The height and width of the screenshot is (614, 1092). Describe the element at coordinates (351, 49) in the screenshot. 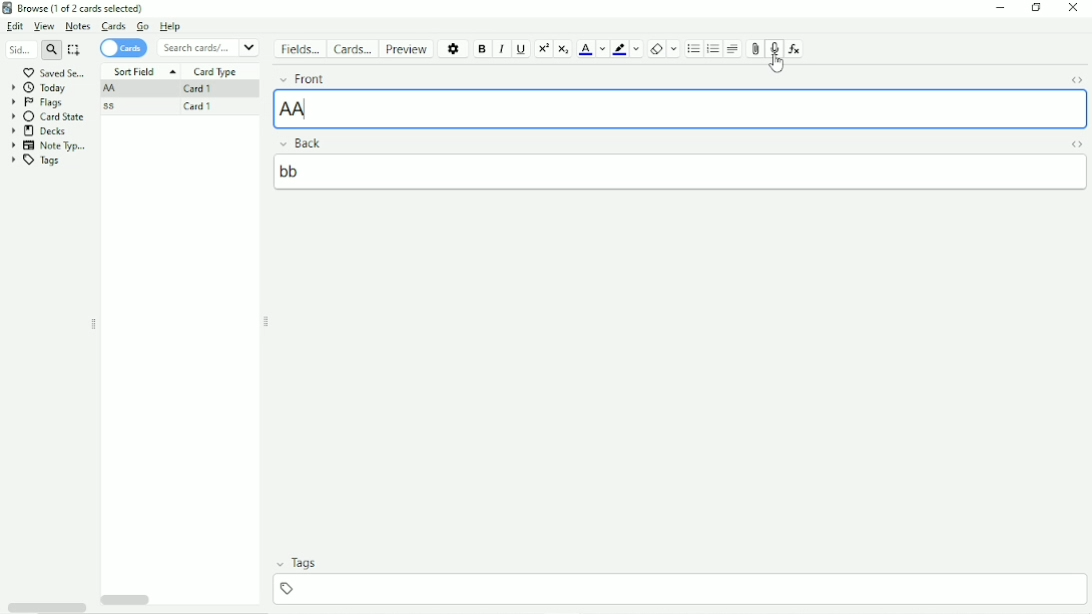

I see `Cards` at that location.